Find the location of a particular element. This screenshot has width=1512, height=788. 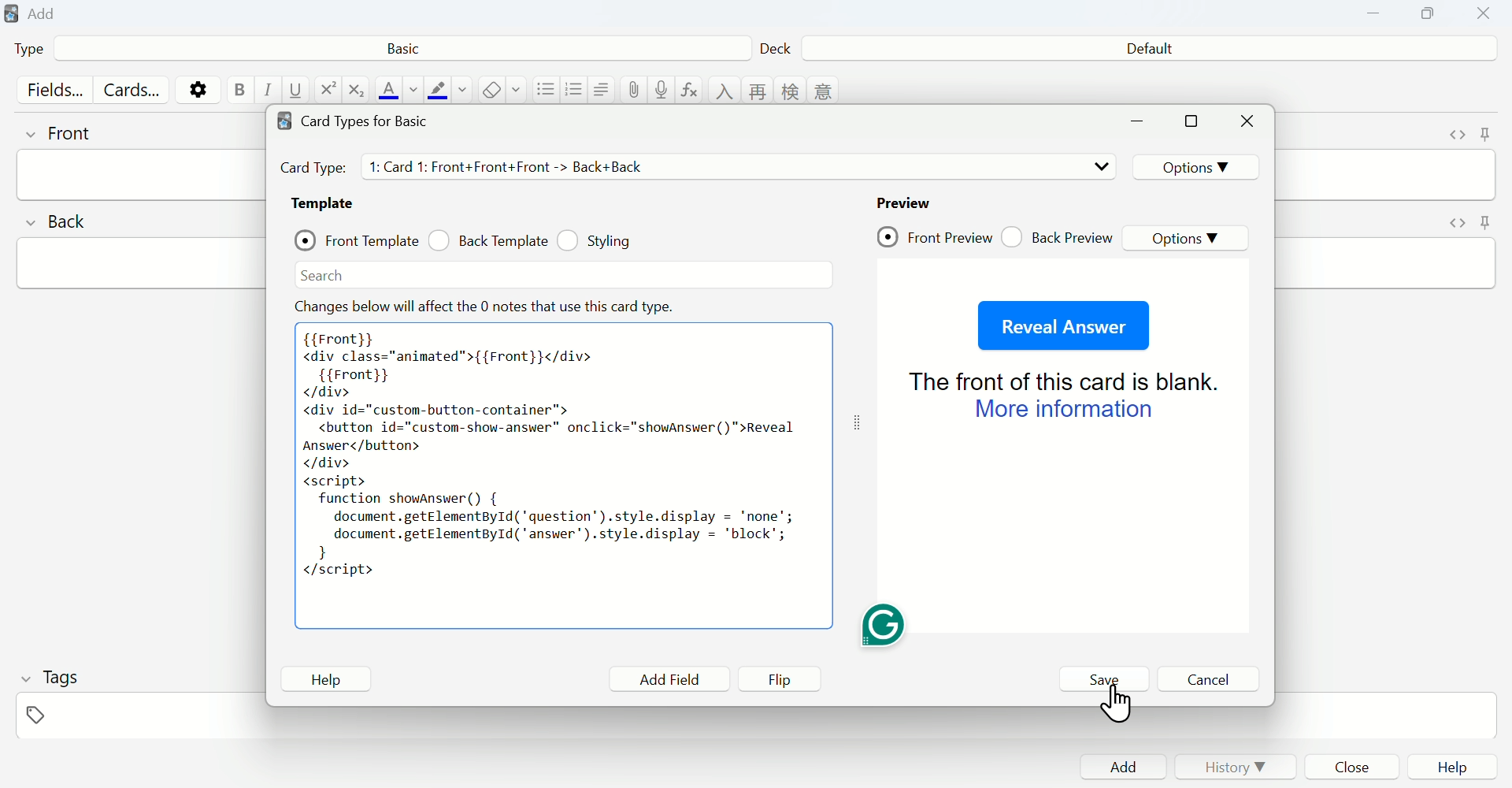

Fields is located at coordinates (52, 89).